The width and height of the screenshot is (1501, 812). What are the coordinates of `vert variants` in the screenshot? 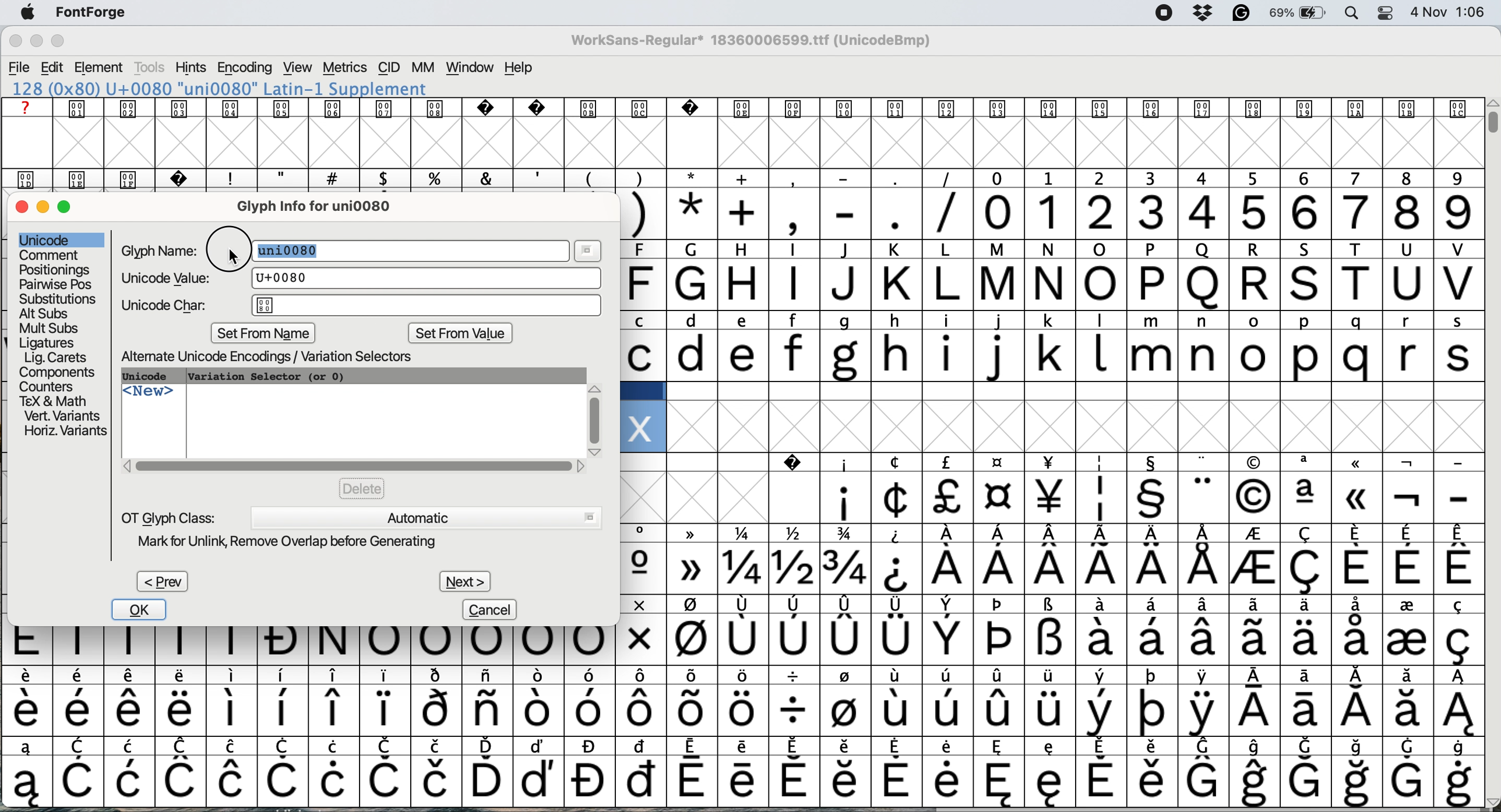 It's located at (62, 416).